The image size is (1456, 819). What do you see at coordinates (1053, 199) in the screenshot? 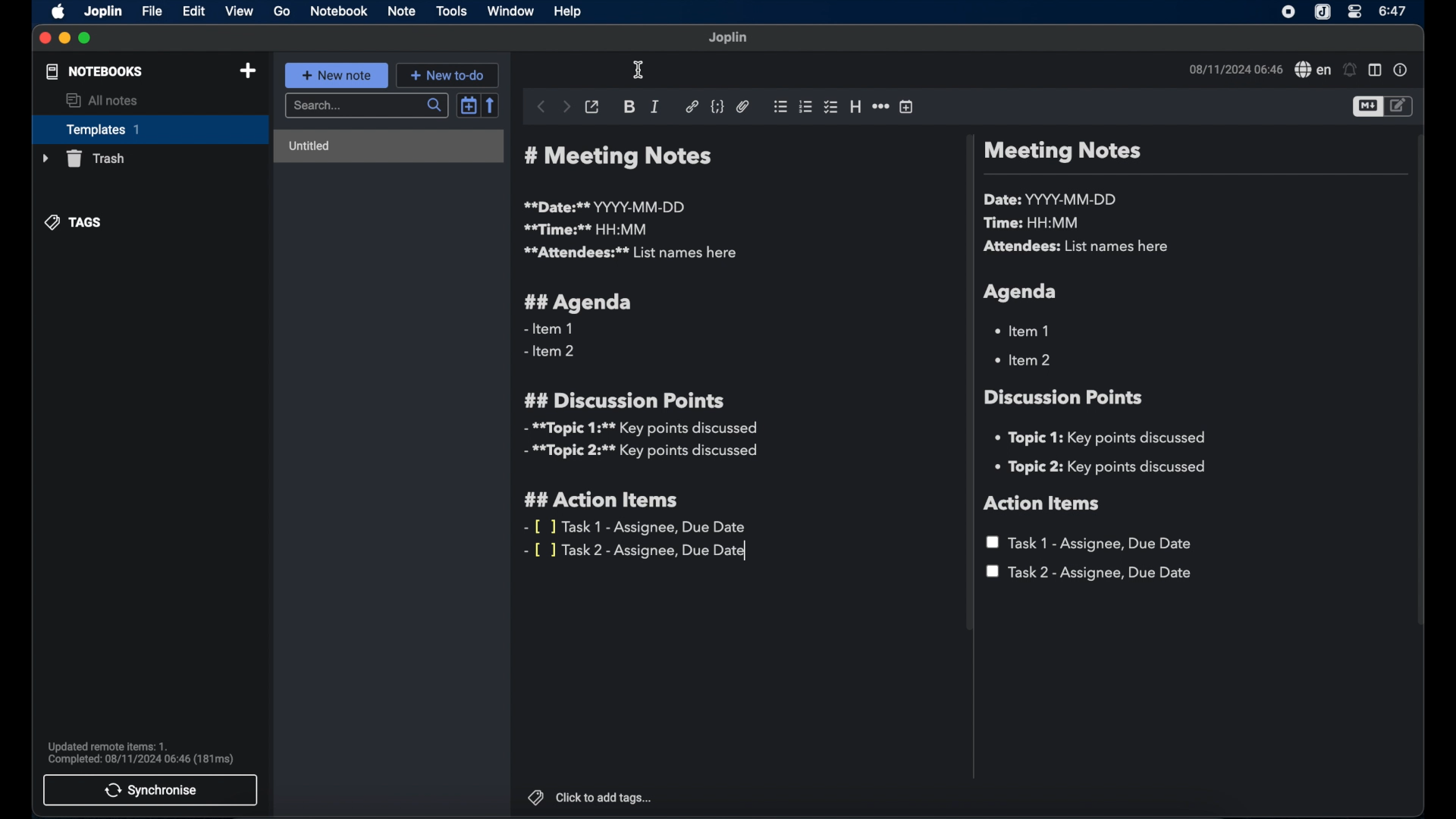
I see `date: YYYY-MM-DD` at bounding box center [1053, 199].